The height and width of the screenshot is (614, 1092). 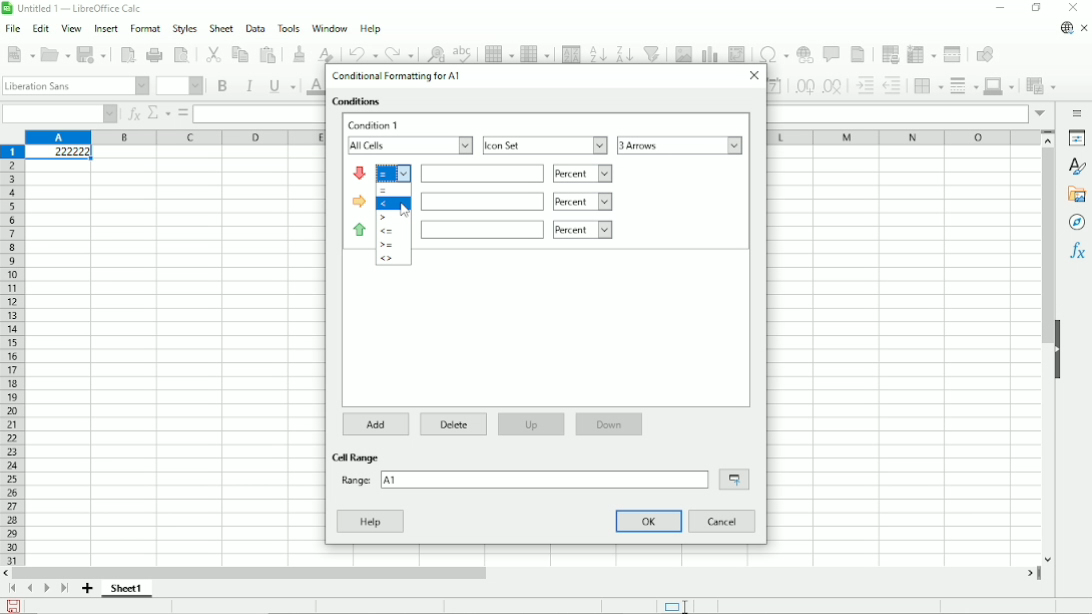 What do you see at coordinates (682, 52) in the screenshot?
I see `Insert image` at bounding box center [682, 52].